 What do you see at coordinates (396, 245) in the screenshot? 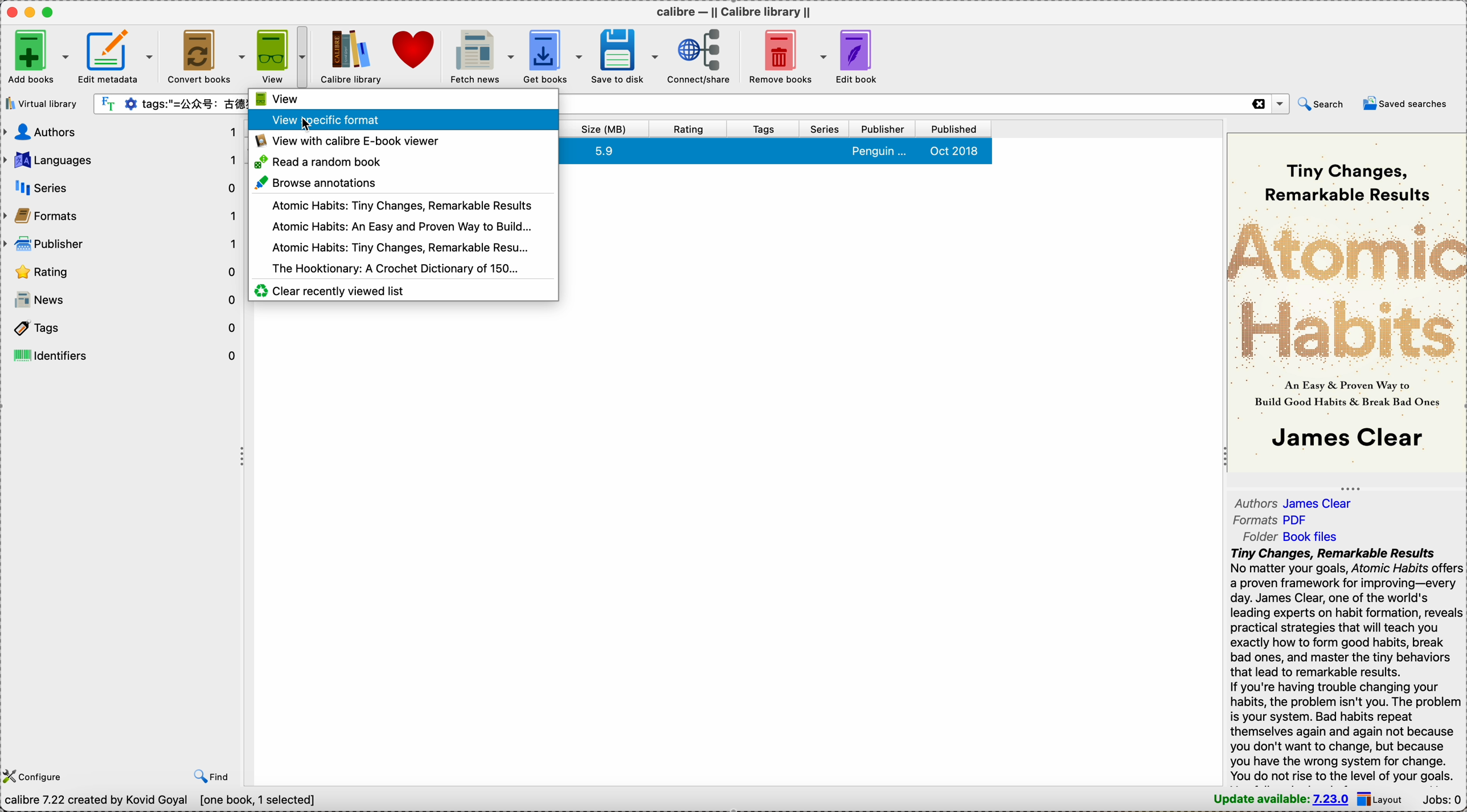
I see `atomic habits book` at bounding box center [396, 245].